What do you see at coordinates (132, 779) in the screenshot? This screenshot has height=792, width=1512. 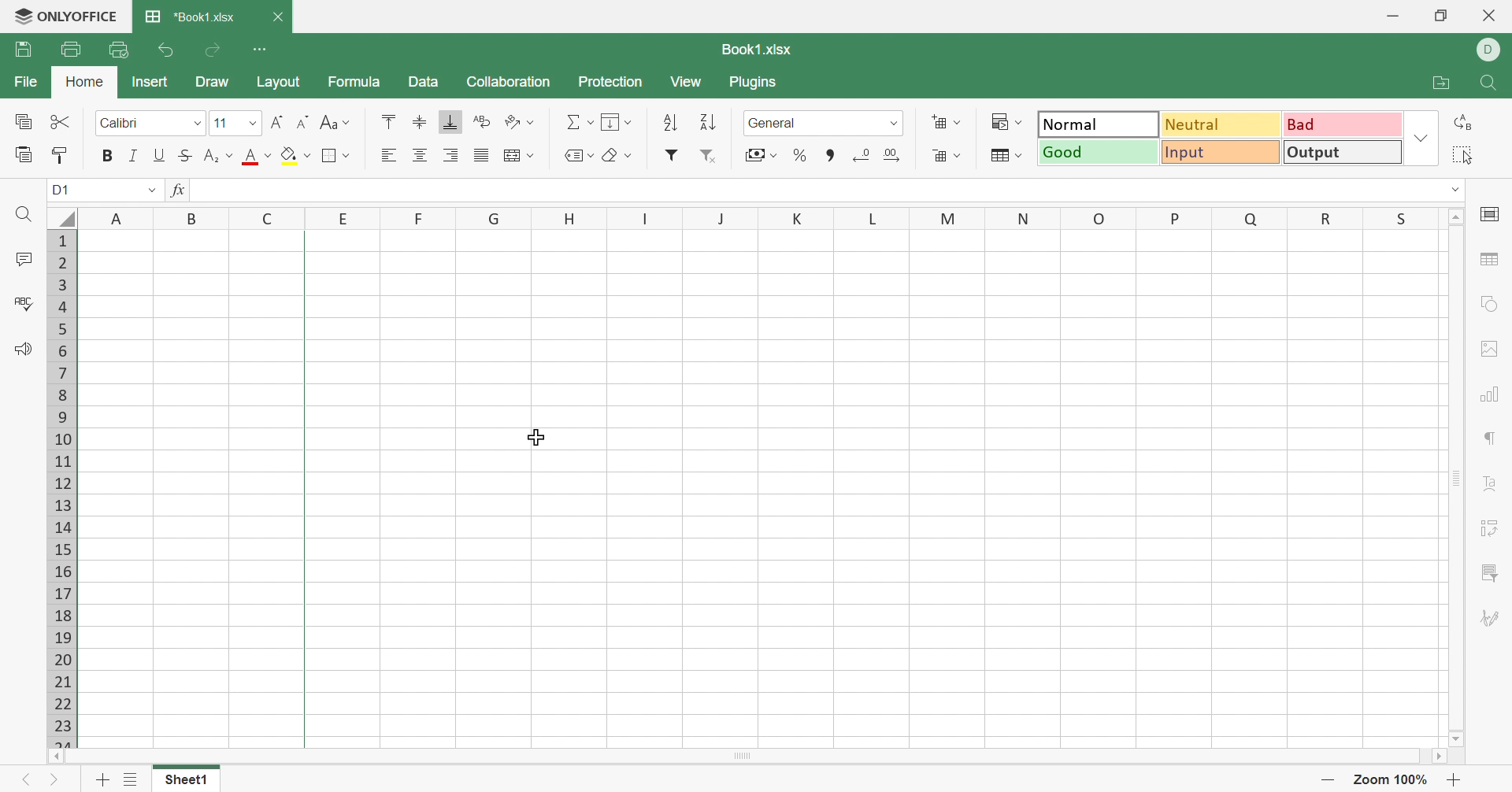 I see `List of sheets` at bounding box center [132, 779].